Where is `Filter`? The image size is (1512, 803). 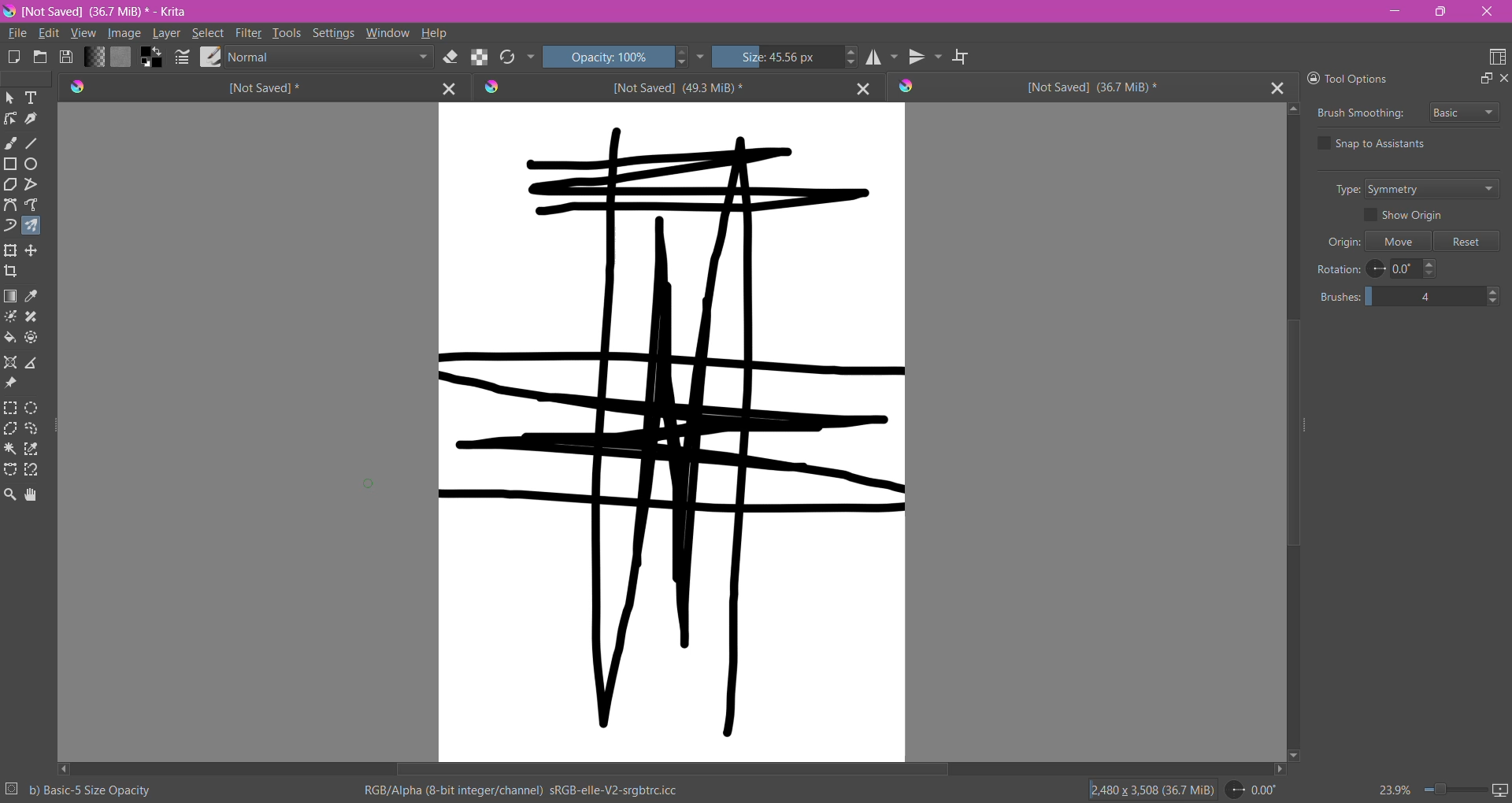 Filter is located at coordinates (248, 33).